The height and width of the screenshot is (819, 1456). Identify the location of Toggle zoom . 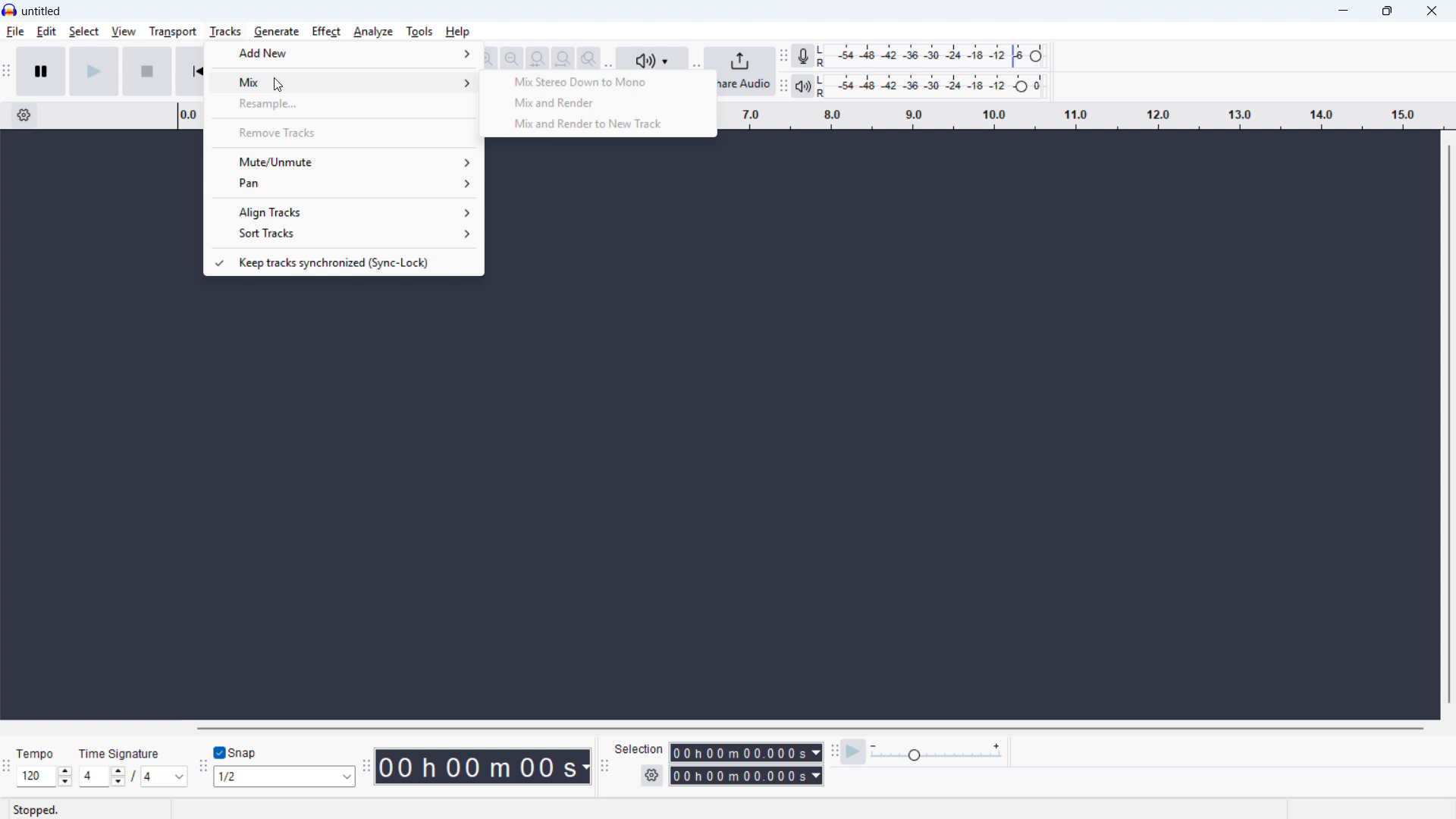
(589, 58).